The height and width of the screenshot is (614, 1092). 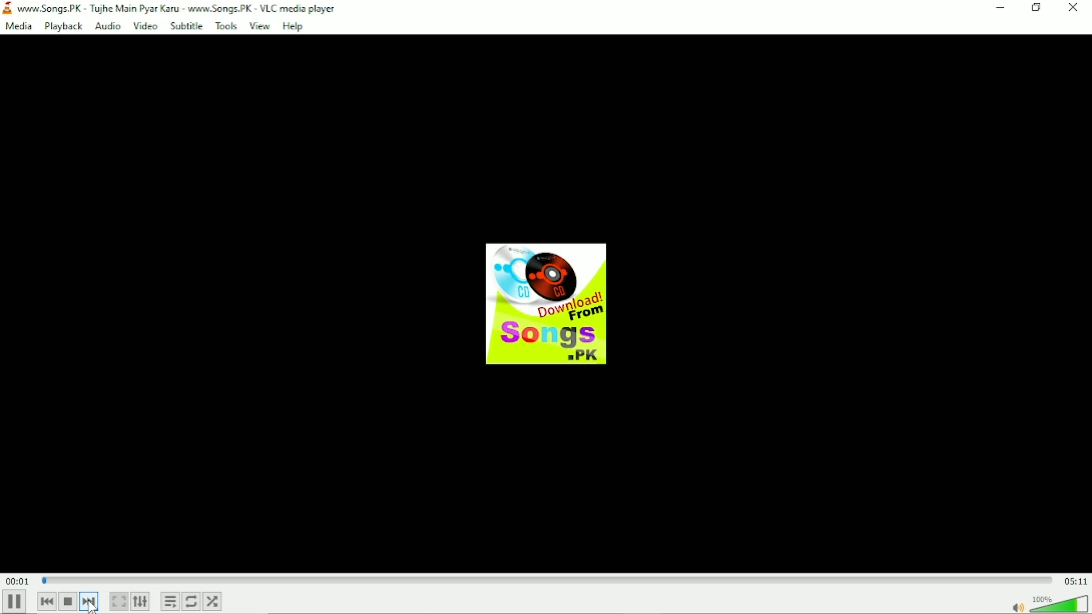 What do you see at coordinates (1048, 603) in the screenshot?
I see `Volume` at bounding box center [1048, 603].